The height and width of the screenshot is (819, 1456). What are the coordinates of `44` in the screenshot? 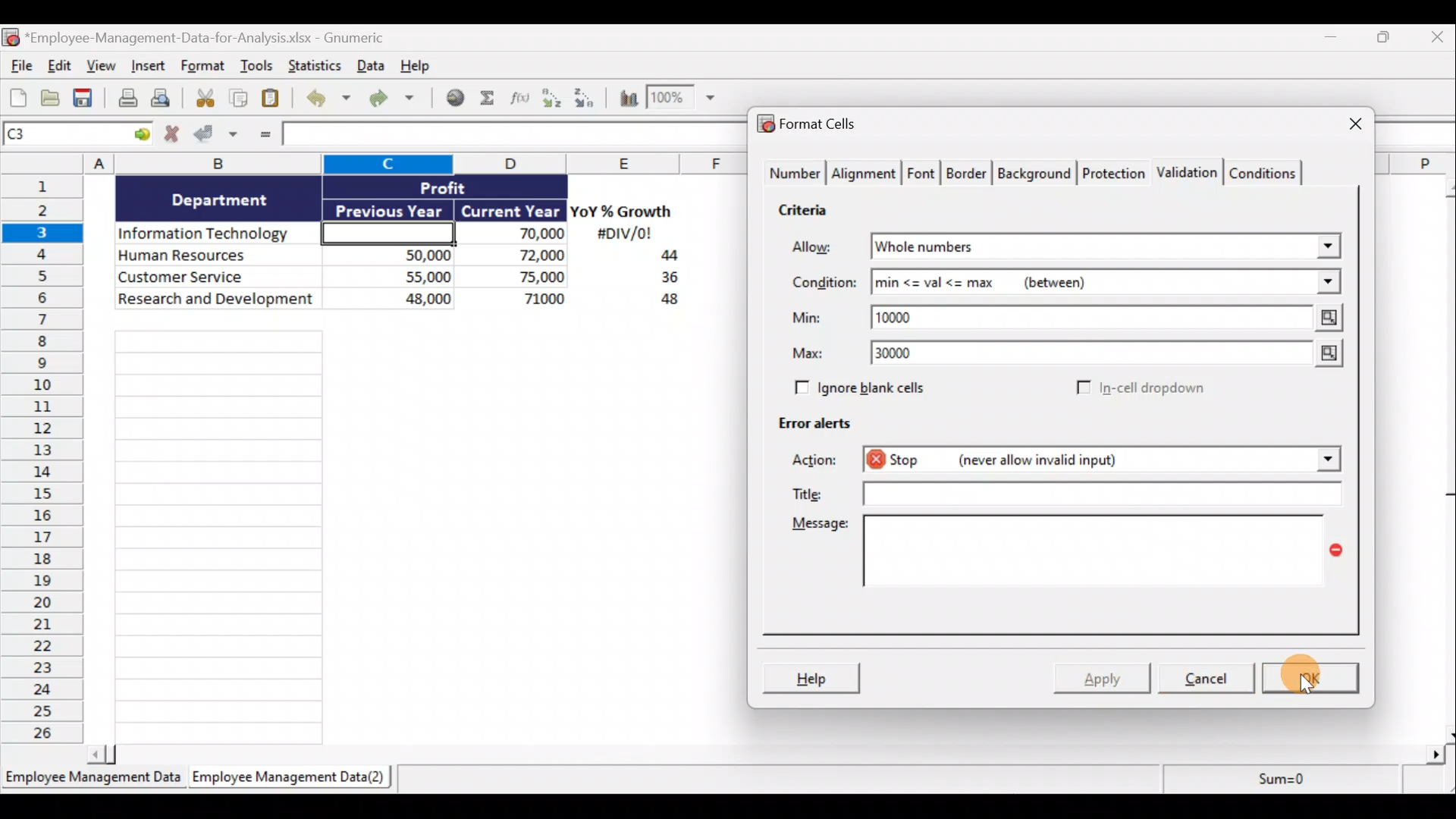 It's located at (661, 257).